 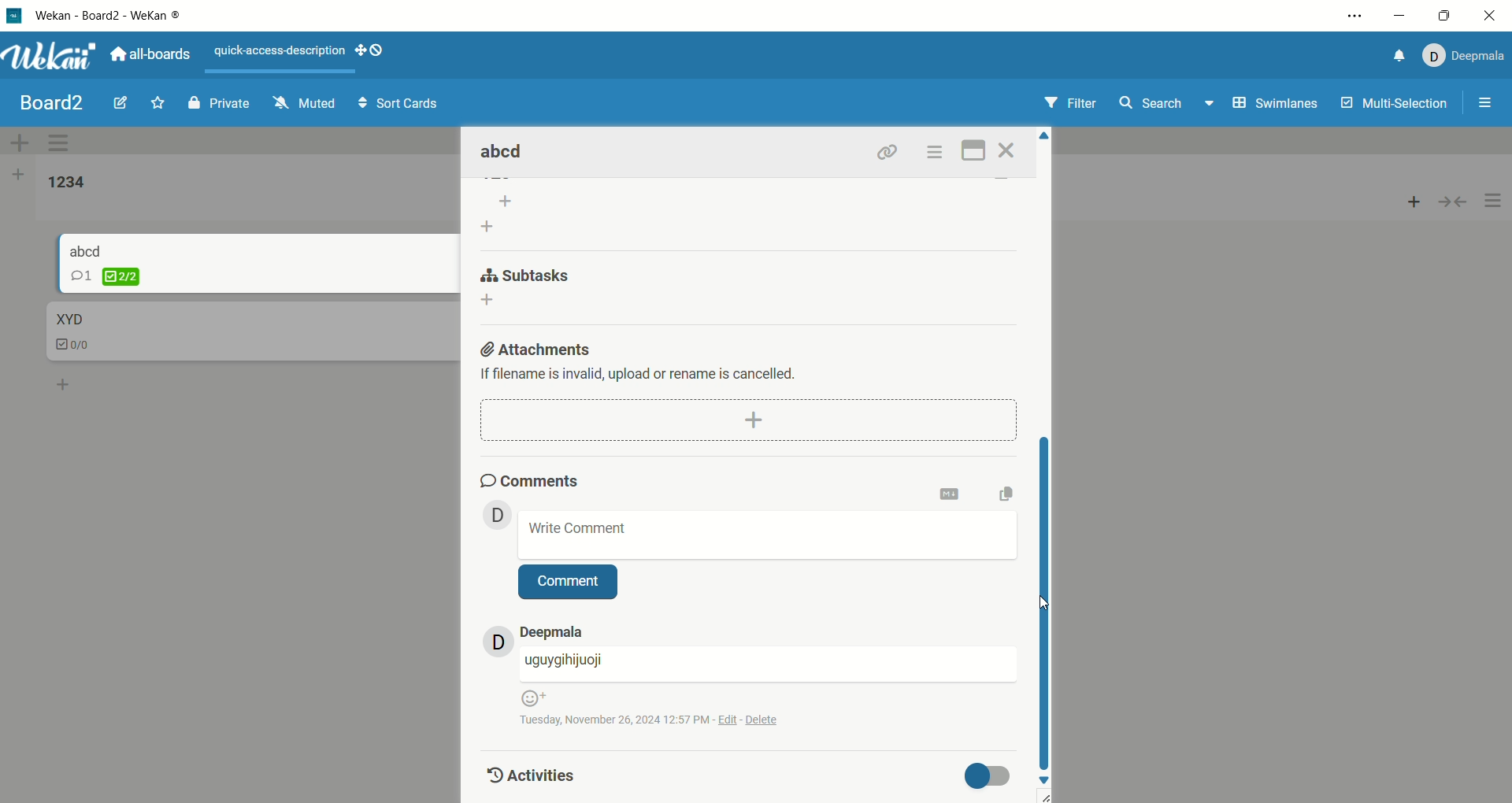 I want to click on subtask, so click(x=528, y=273).